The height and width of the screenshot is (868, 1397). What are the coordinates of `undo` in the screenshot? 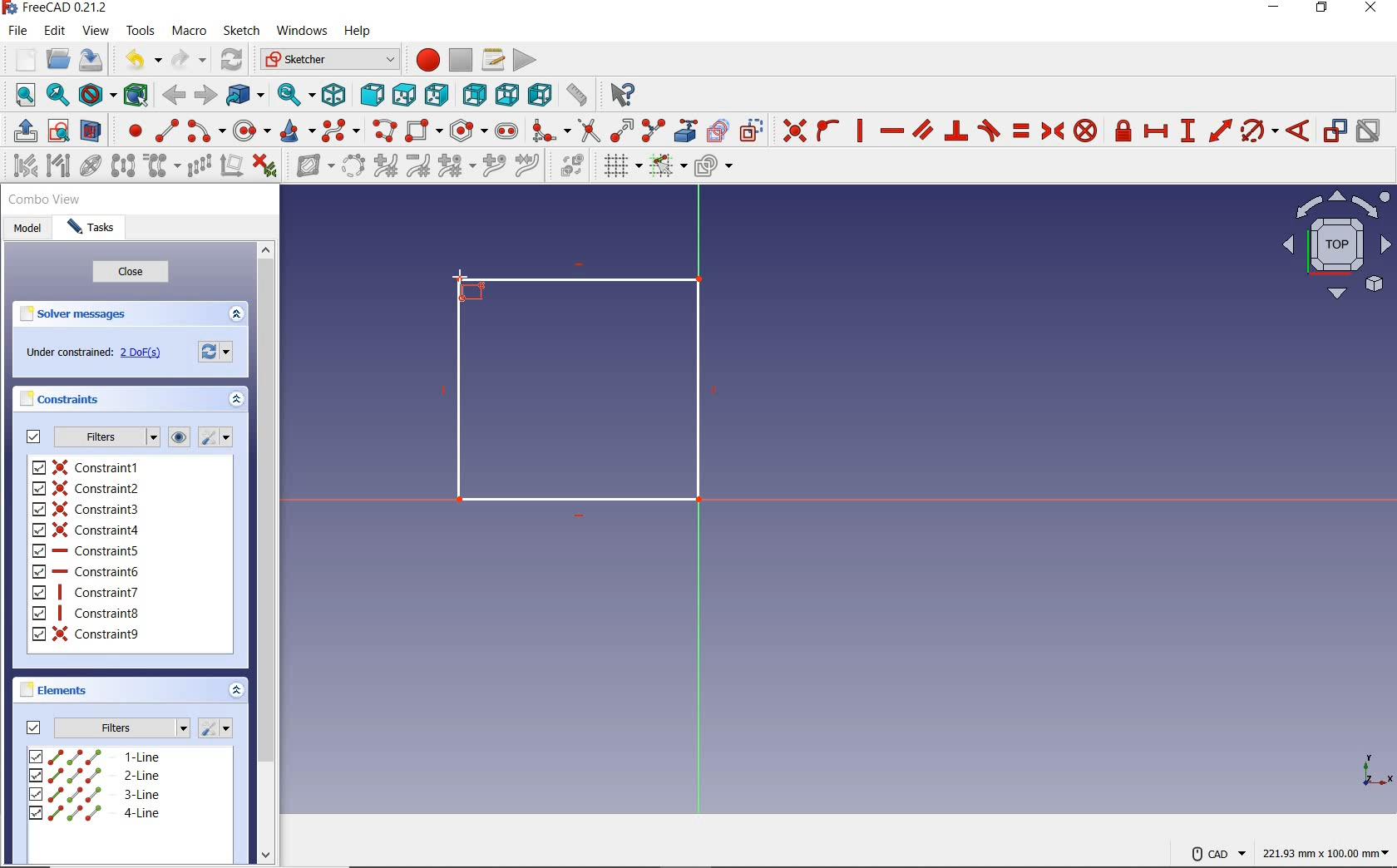 It's located at (144, 62).